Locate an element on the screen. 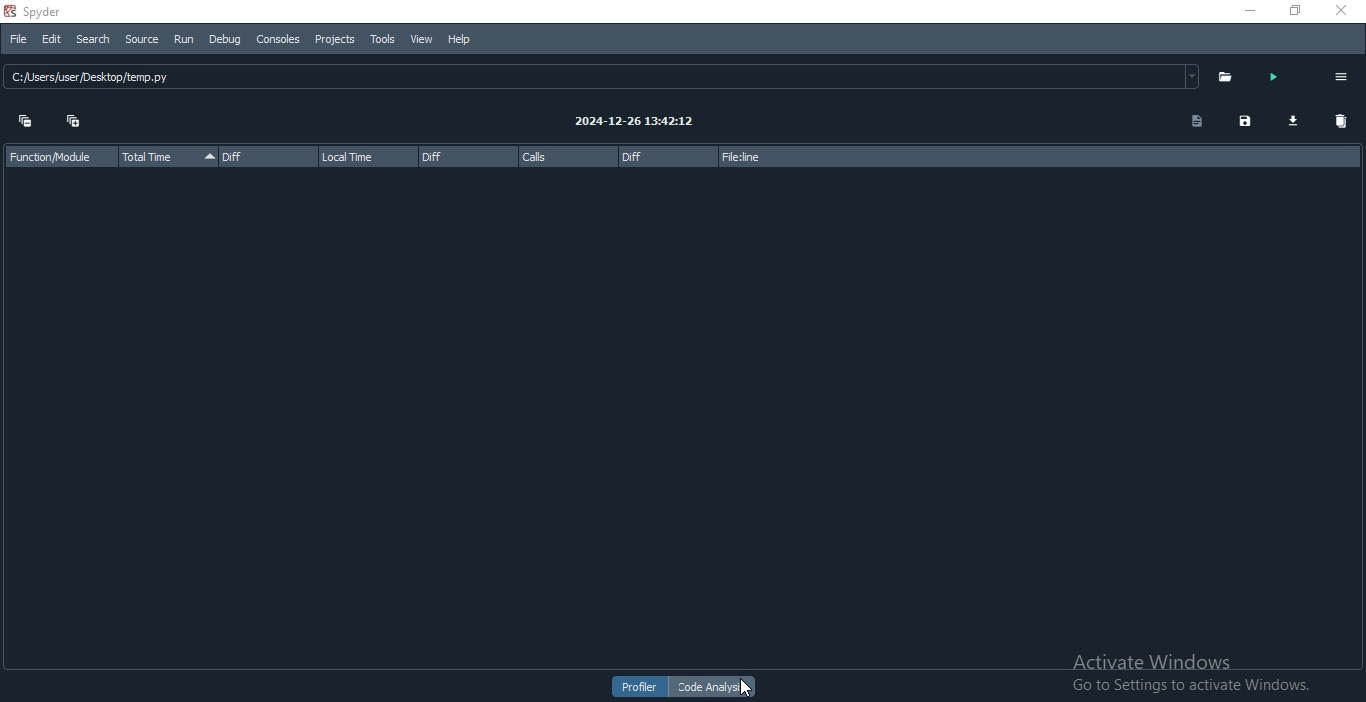  code analysis is located at coordinates (714, 687).